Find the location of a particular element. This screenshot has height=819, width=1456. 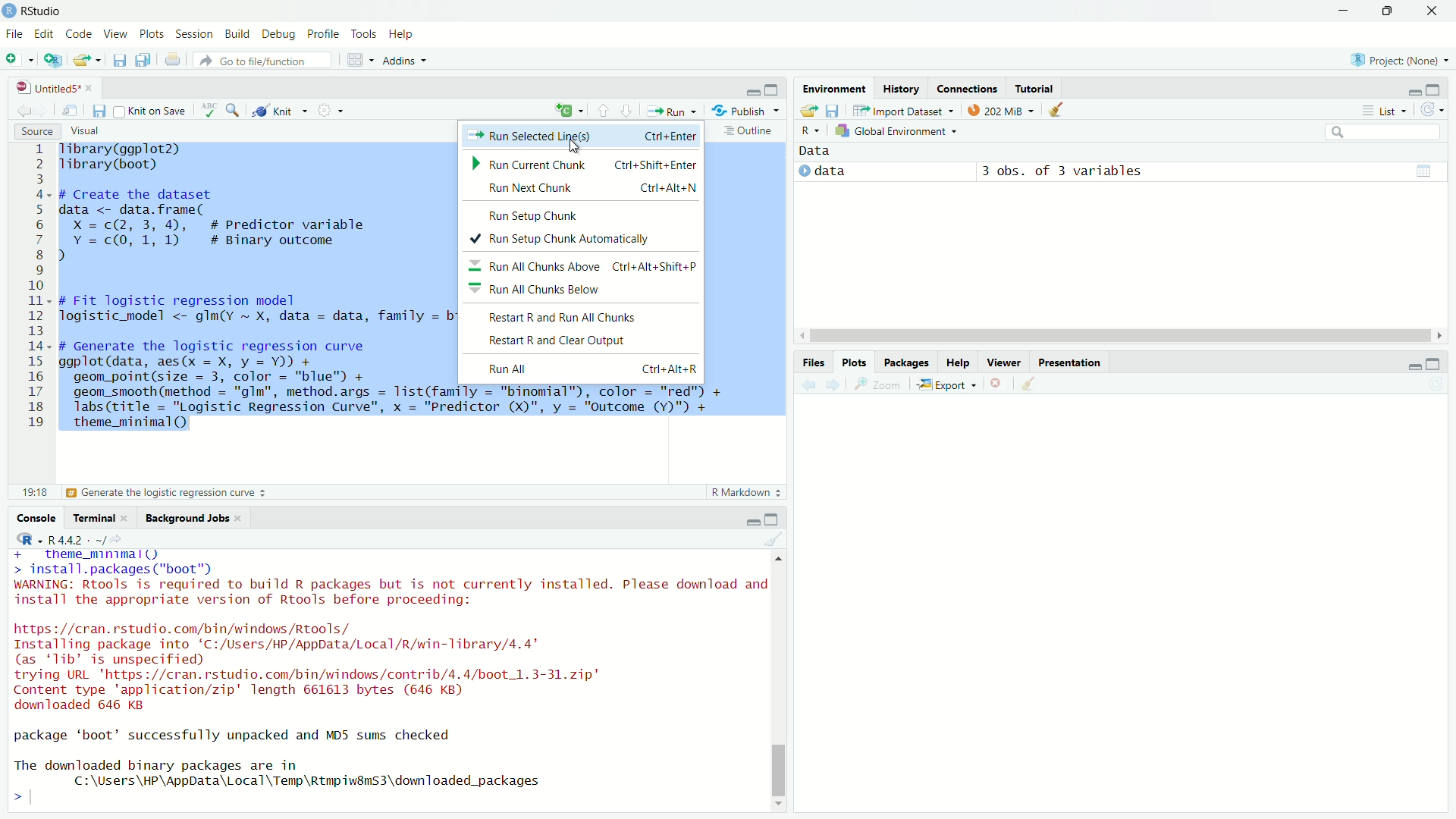

Plots is located at coordinates (151, 33).